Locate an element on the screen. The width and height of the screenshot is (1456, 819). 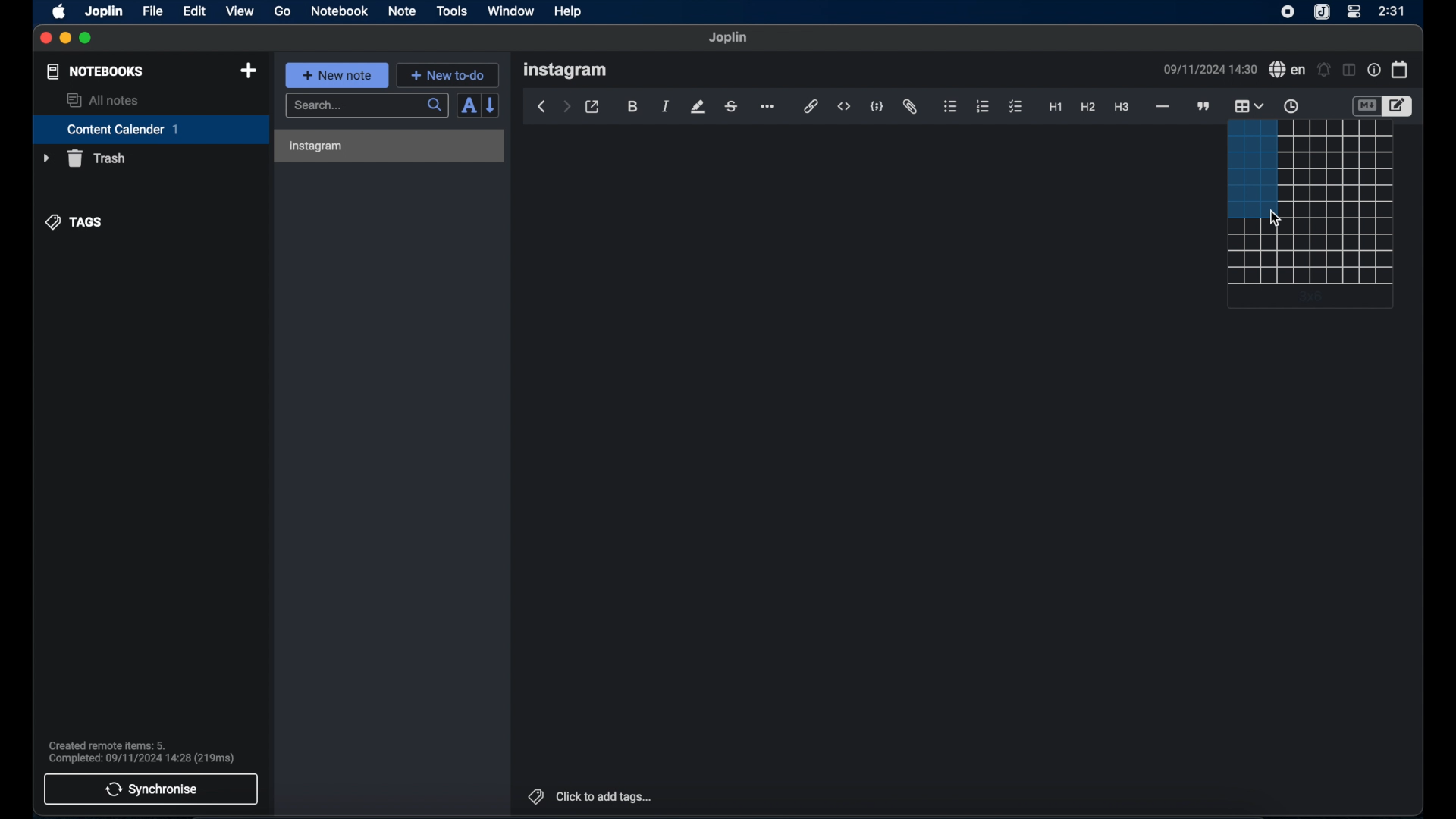
09/11/2024 14:30(date and time) is located at coordinates (1210, 69).